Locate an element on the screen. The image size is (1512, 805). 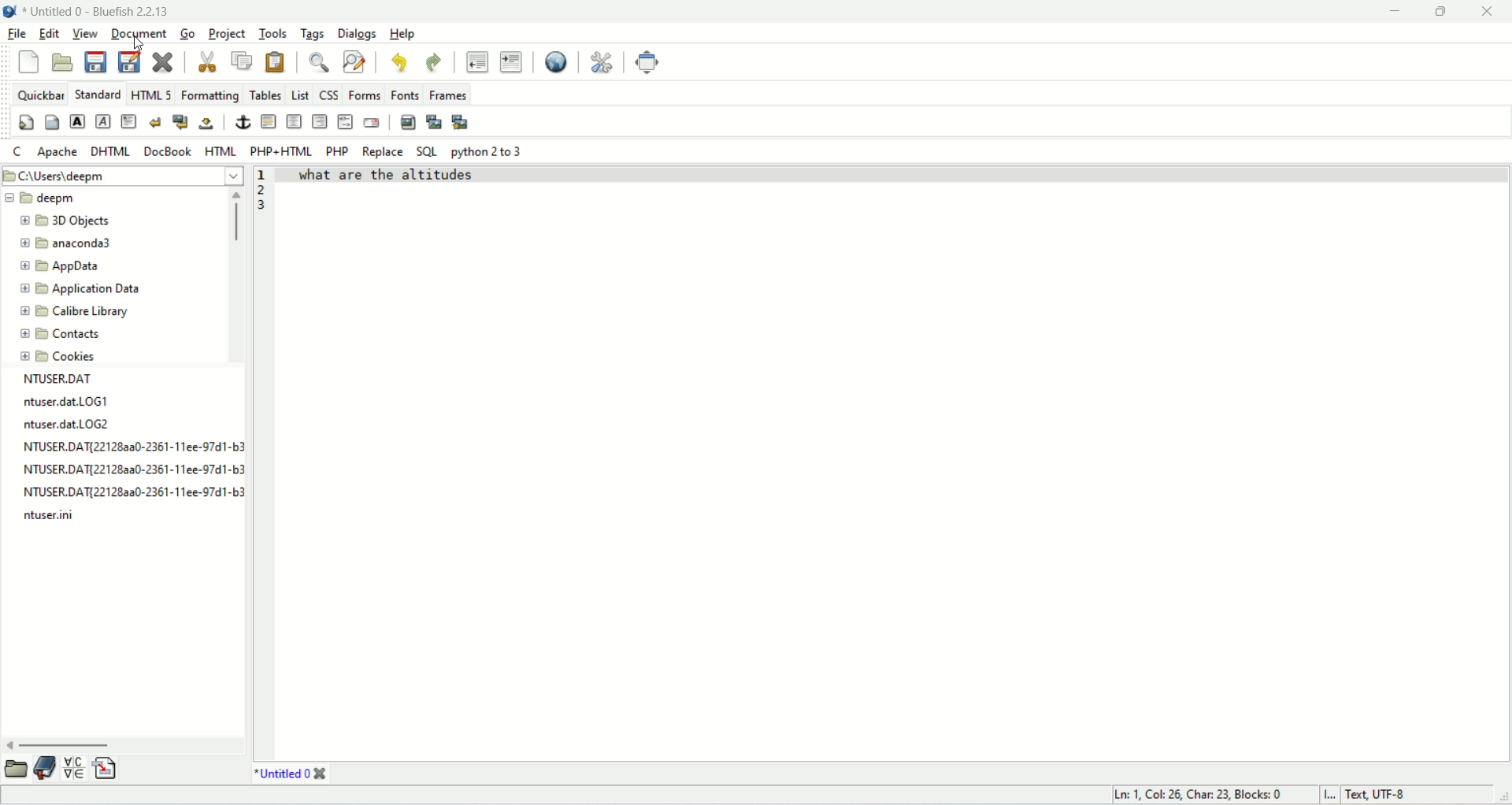
advance find and replace is located at coordinates (354, 64).